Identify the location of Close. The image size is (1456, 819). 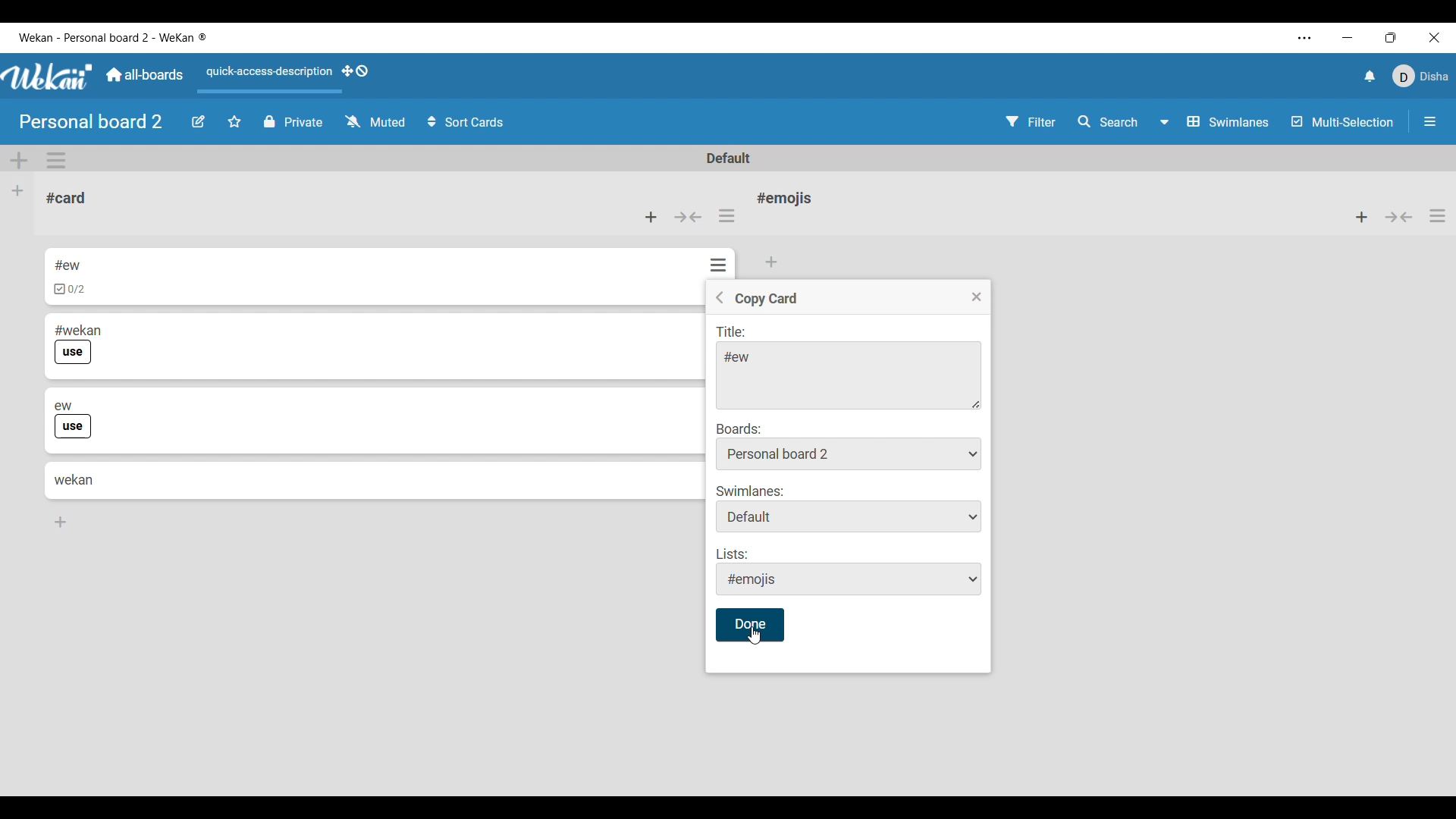
(977, 297).